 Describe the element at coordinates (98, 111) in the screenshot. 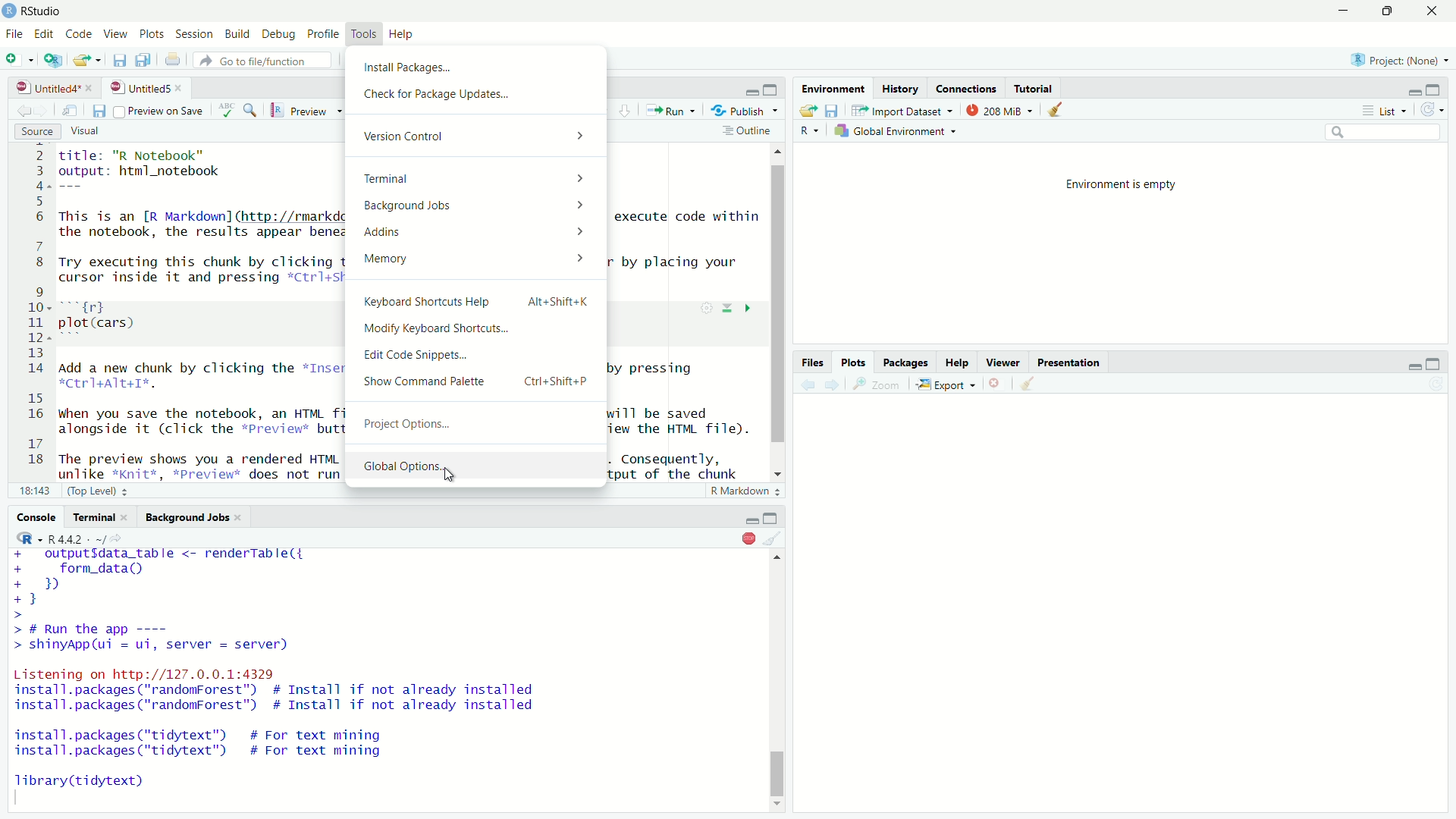

I see `save` at that location.